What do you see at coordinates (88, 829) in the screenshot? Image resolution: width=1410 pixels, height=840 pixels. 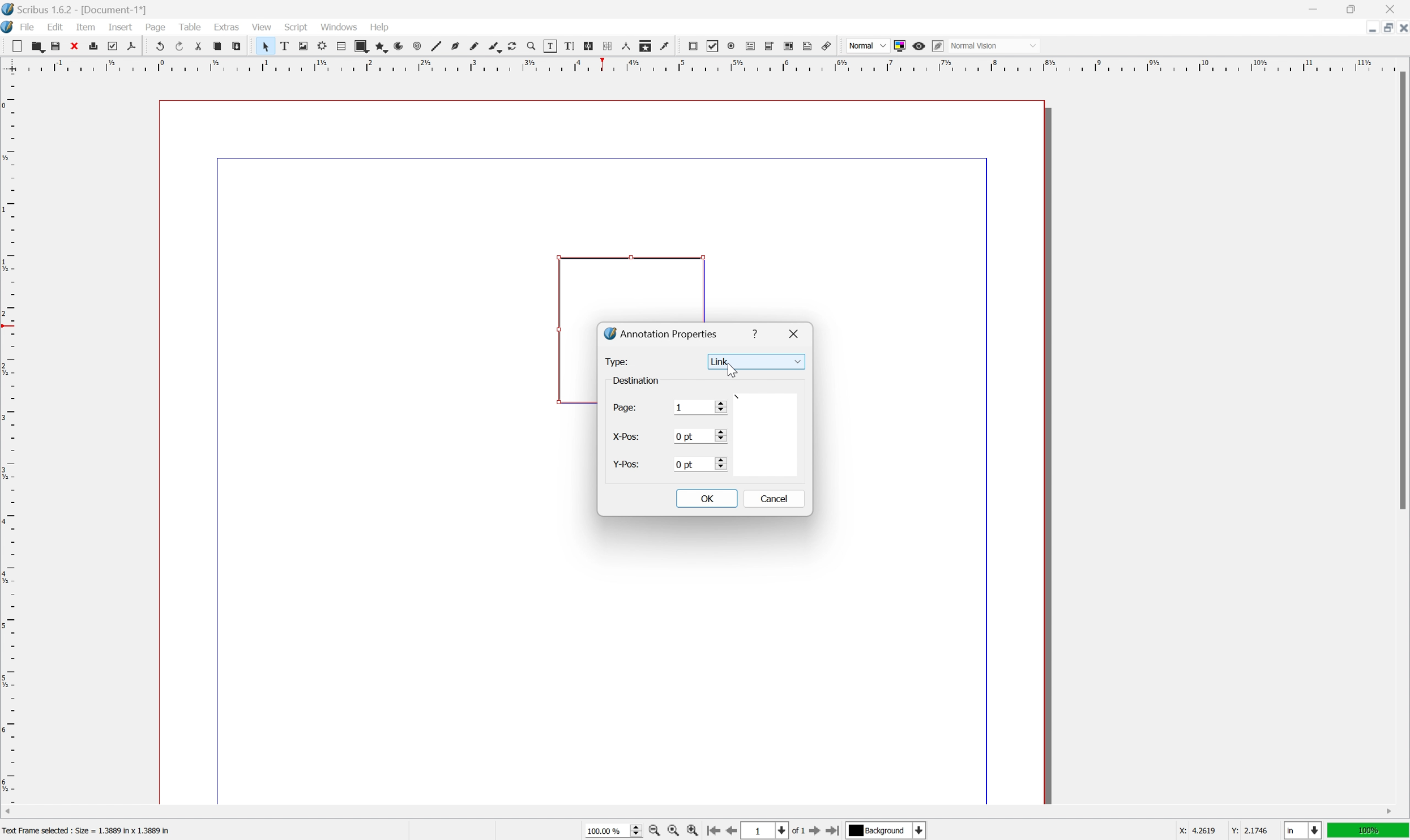 I see `Text frame selected : size = 1.3889 in × 1.3889 in` at bounding box center [88, 829].